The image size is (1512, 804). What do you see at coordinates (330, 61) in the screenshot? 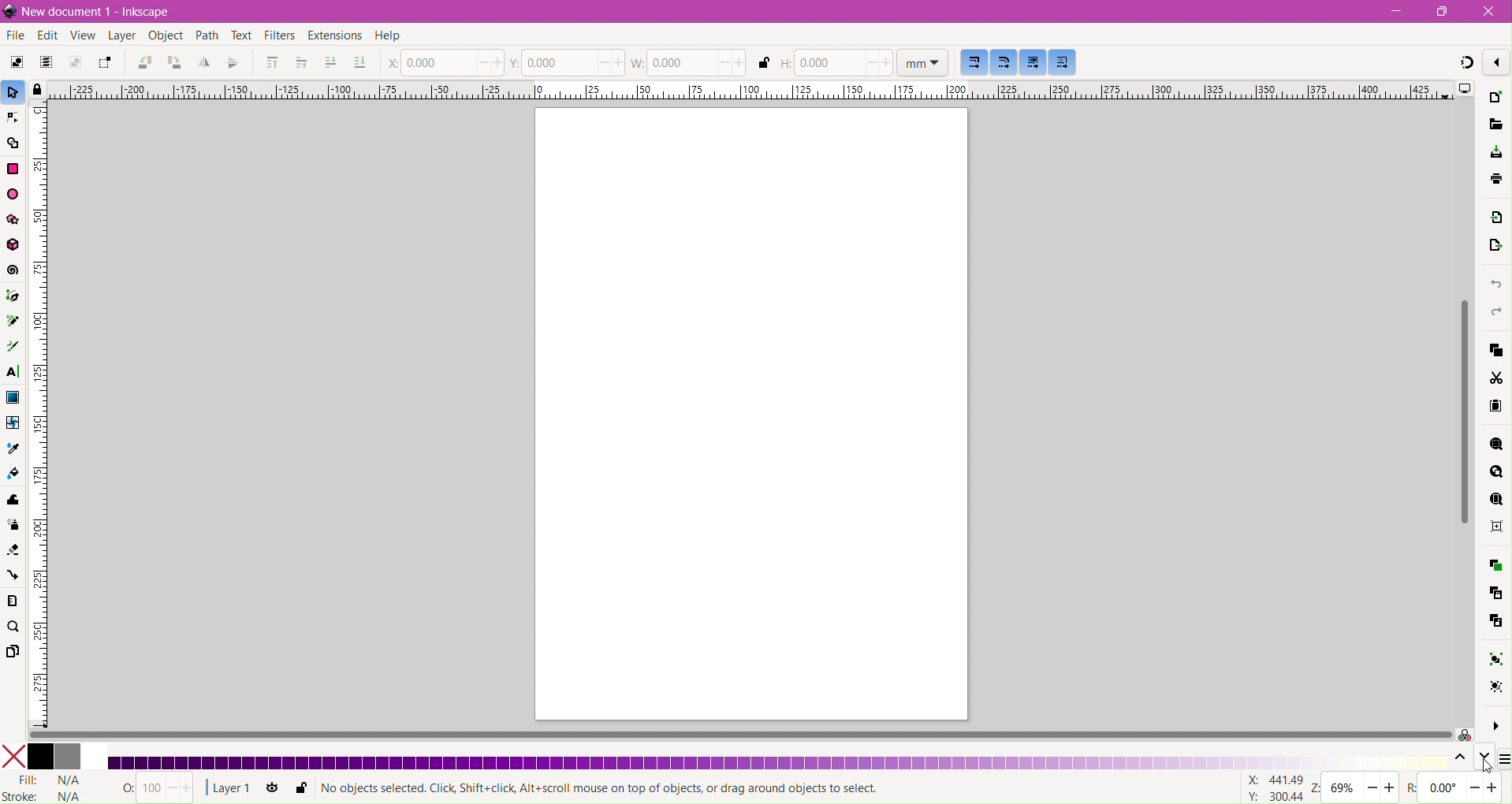
I see `Lower` at bounding box center [330, 61].